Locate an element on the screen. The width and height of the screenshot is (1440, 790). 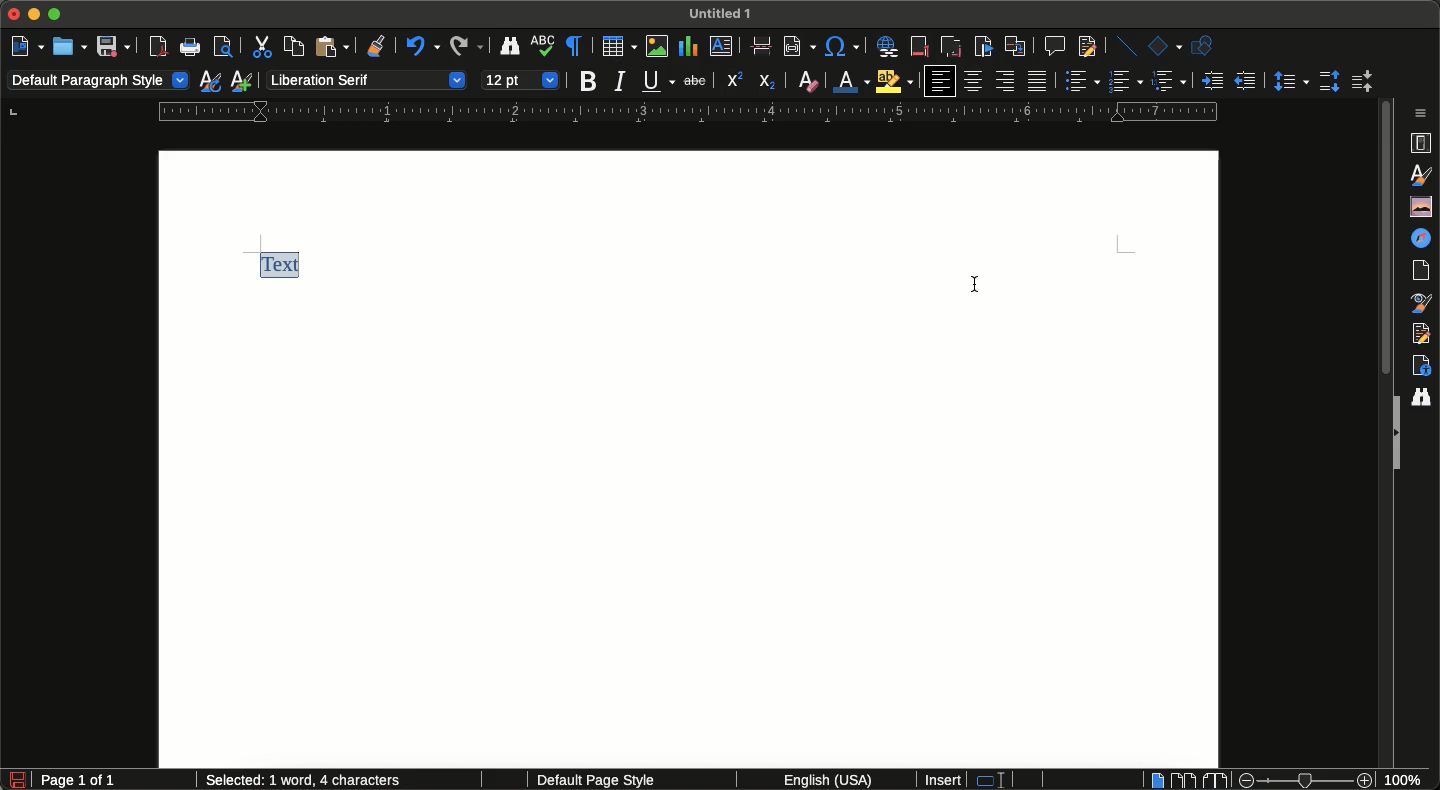
Close is located at coordinates (14, 15).